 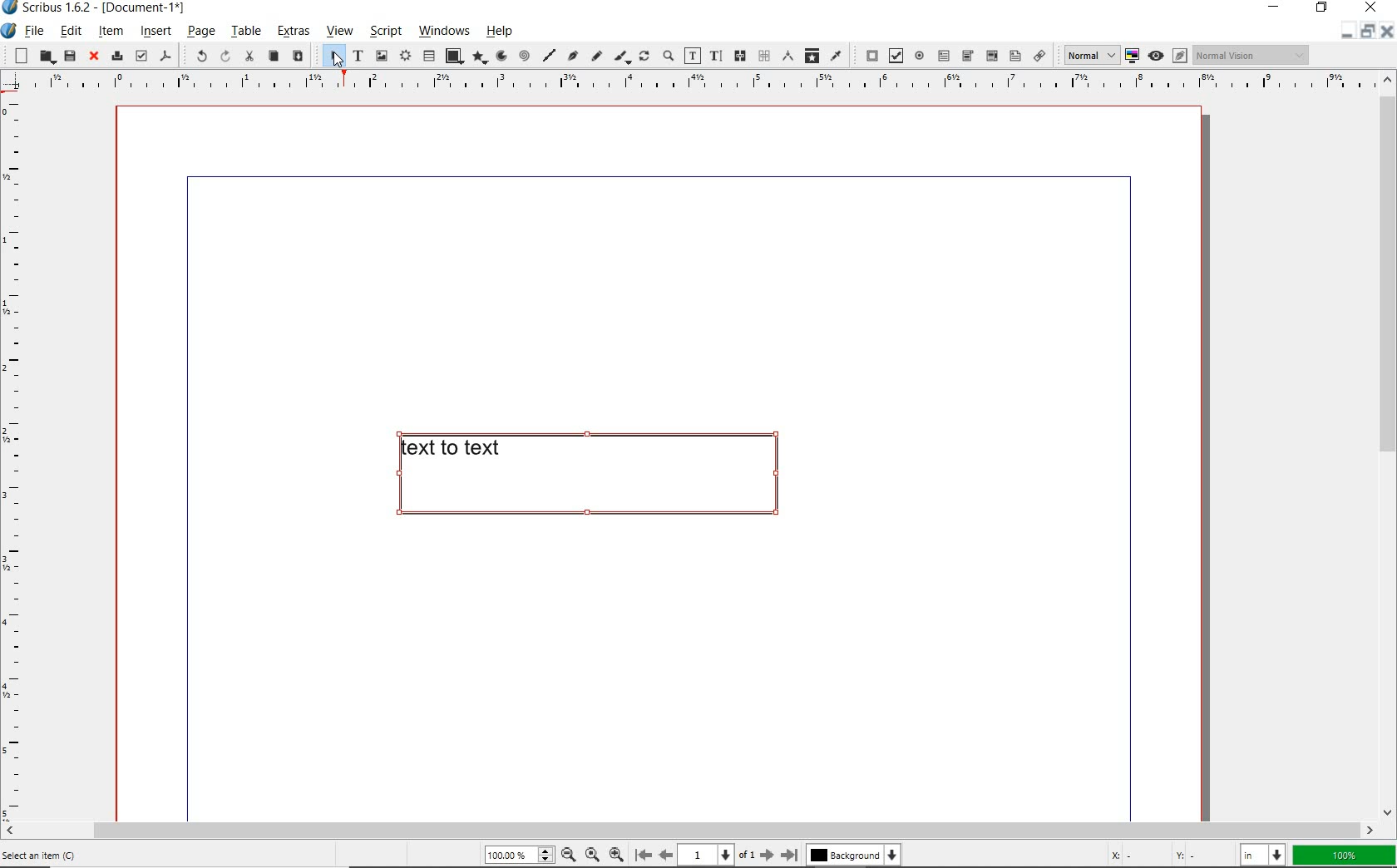 What do you see at coordinates (383, 56) in the screenshot?
I see `image frame` at bounding box center [383, 56].